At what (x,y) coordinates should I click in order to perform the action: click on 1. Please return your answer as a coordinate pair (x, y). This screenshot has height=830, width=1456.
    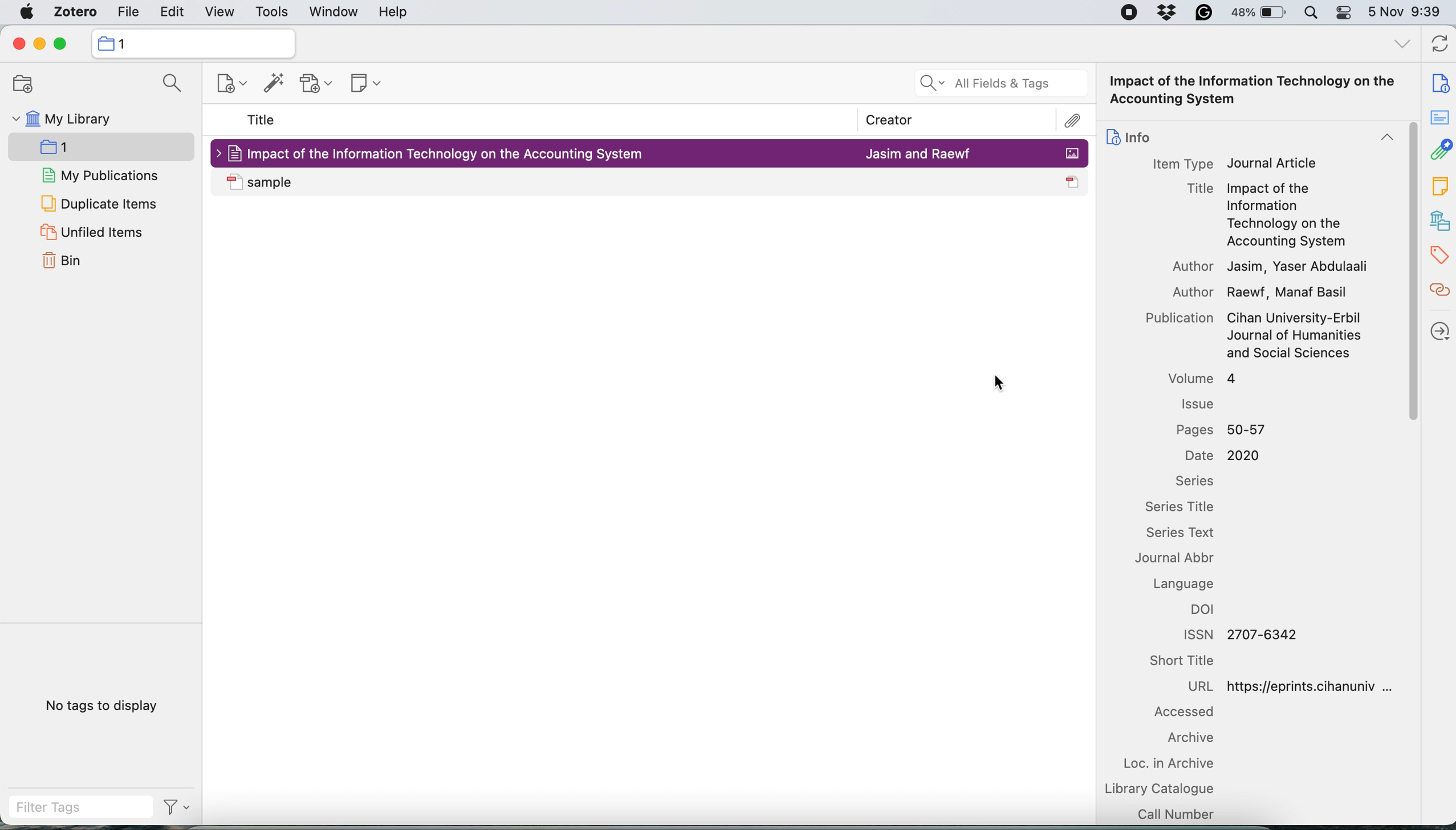
    Looking at the image, I should click on (125, 44).